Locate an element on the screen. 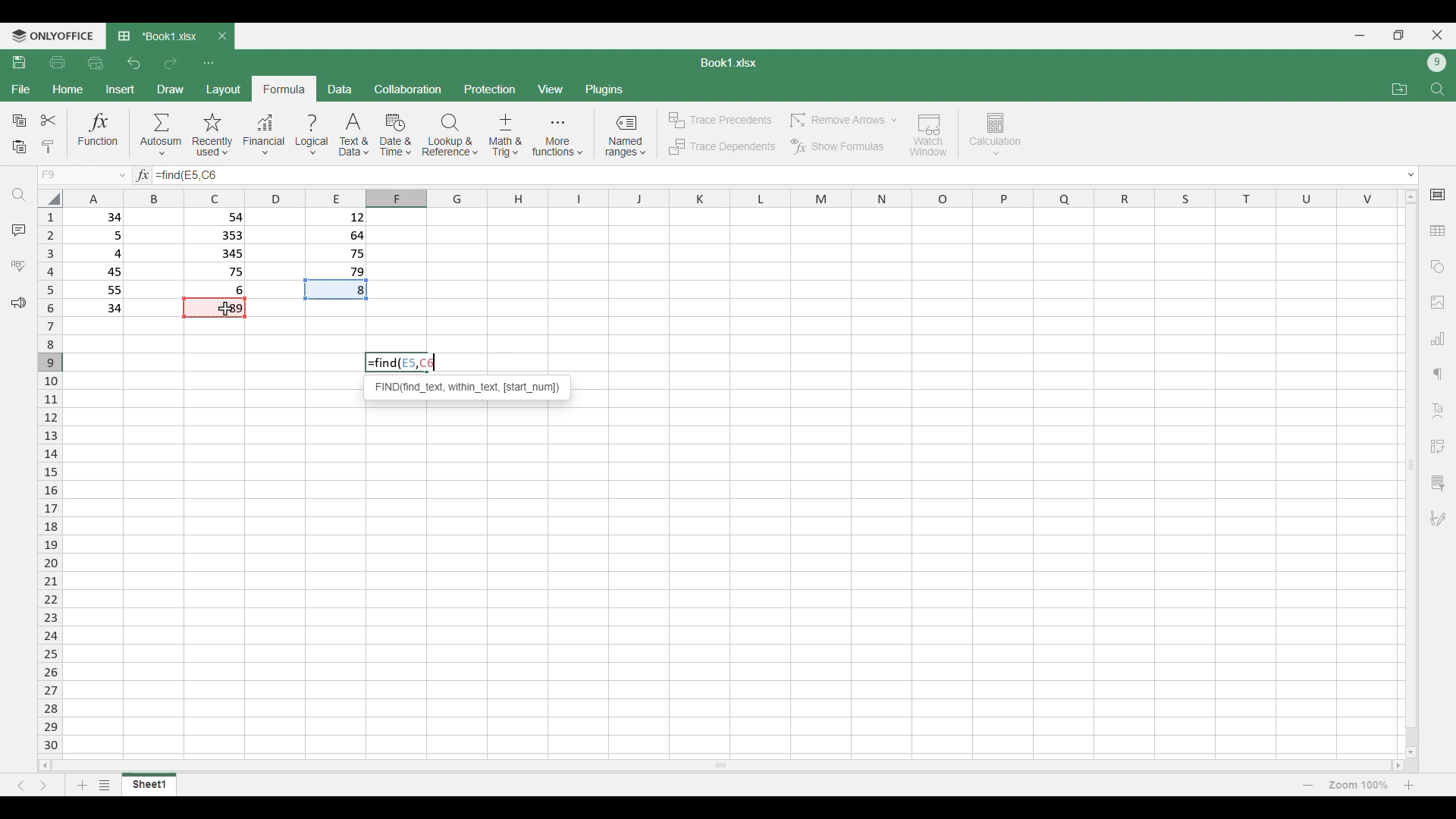 The width and height of the screenshot is (1456, 819). Formula menu, current selection is located at coordinates (285, 89).